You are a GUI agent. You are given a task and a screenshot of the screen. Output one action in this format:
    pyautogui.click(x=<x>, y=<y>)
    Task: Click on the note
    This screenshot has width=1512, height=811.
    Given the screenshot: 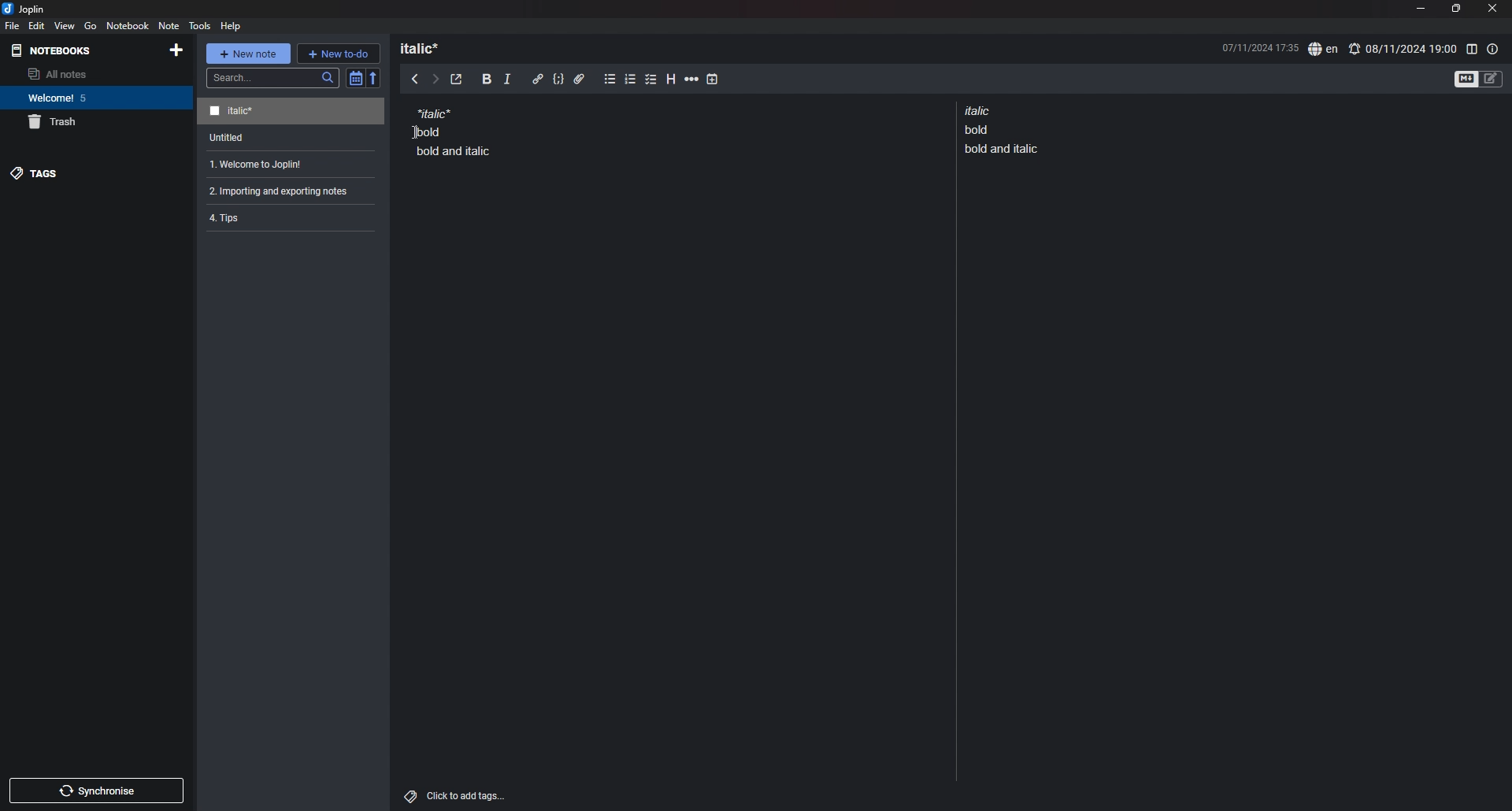 What is the action you would take?
    pyautogui.click(x=284, y=191)
    